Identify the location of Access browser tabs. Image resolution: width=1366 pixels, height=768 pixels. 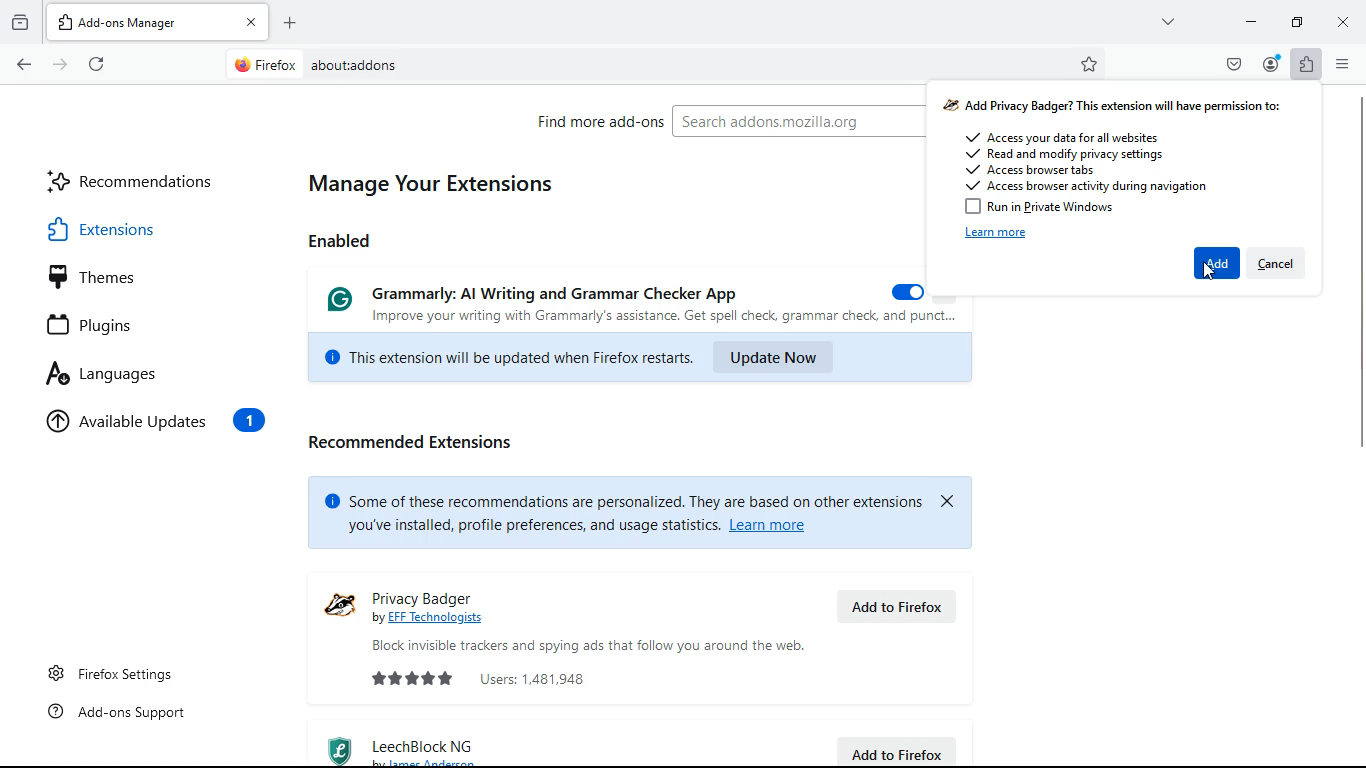
(1036, 169).